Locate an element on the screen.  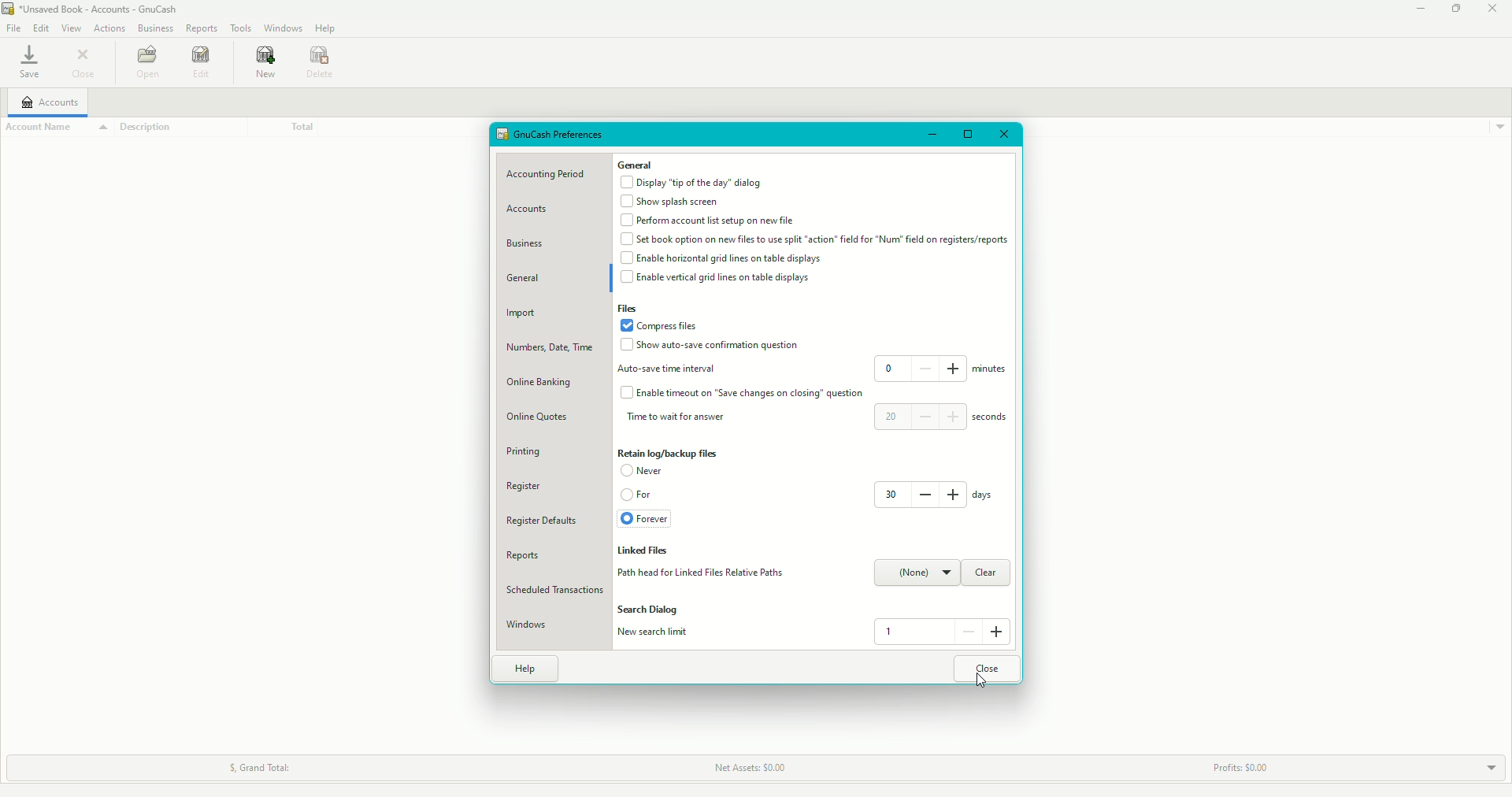
Help is located at coordinates (526, 669).